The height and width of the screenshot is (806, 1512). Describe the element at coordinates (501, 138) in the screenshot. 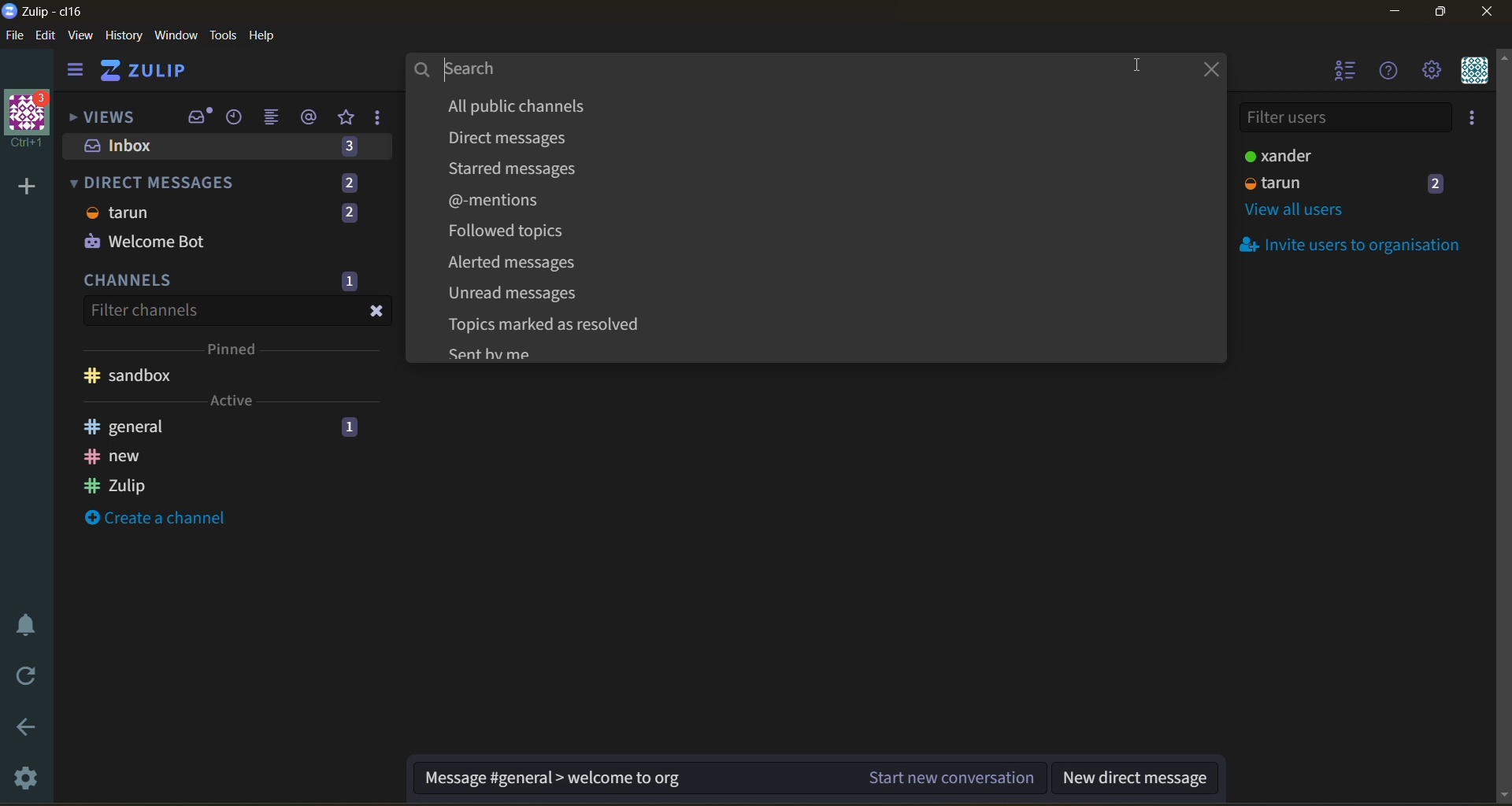

I see `Direct messages` at that location.